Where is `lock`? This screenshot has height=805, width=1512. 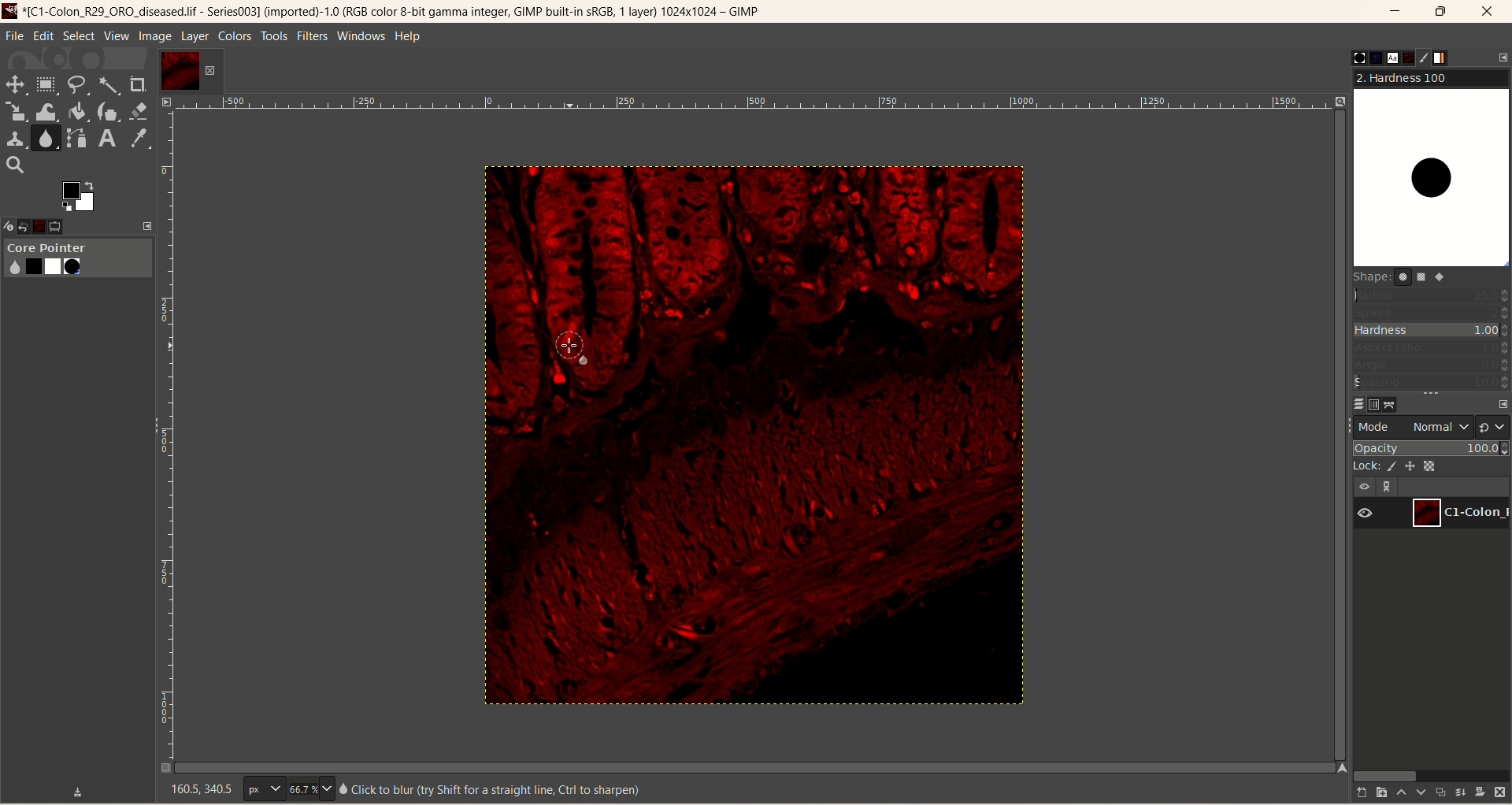
lock is located at coordinates (1365, 465).